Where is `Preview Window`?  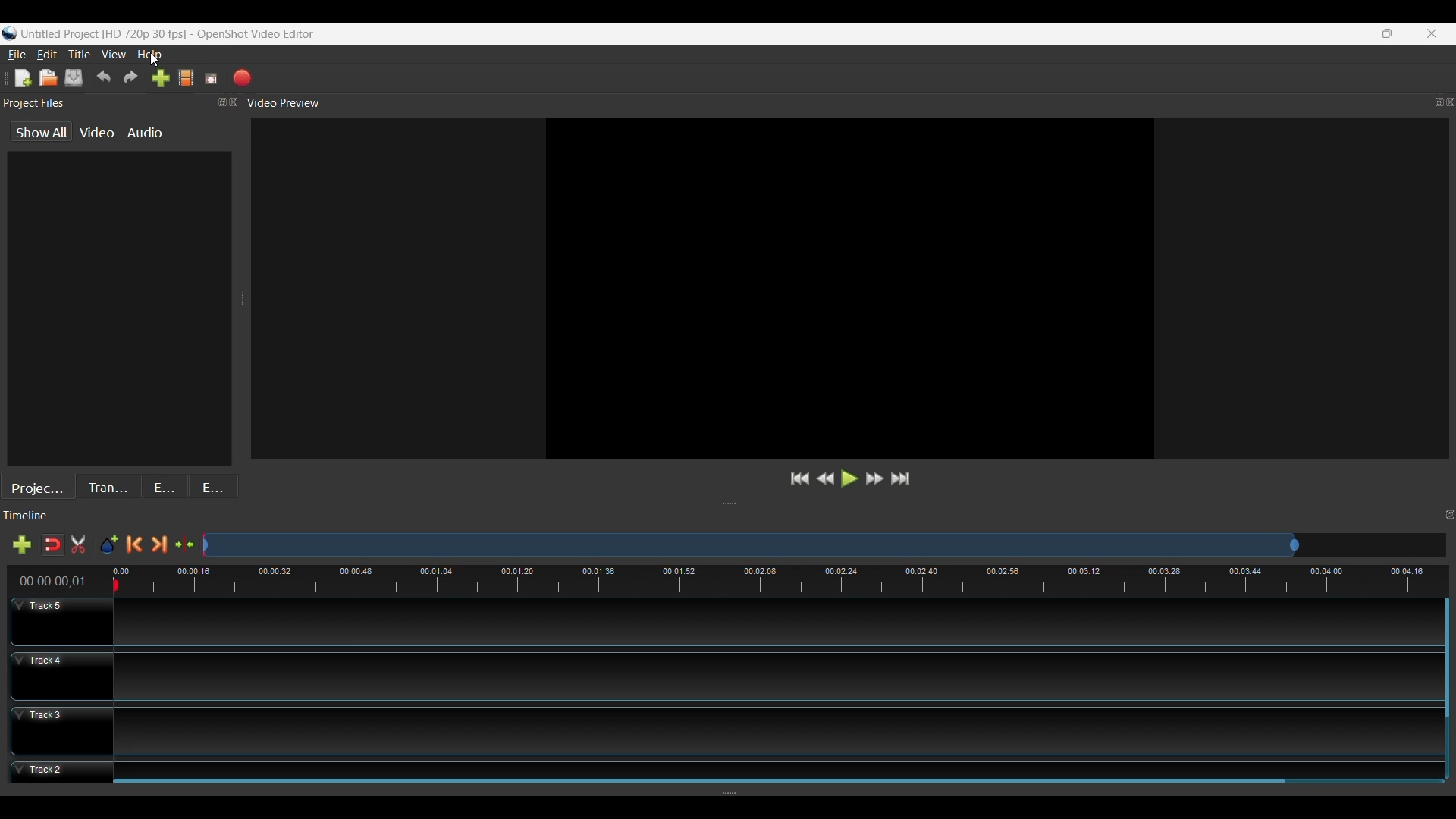 Preview Window is located at coordinates (849, 287).